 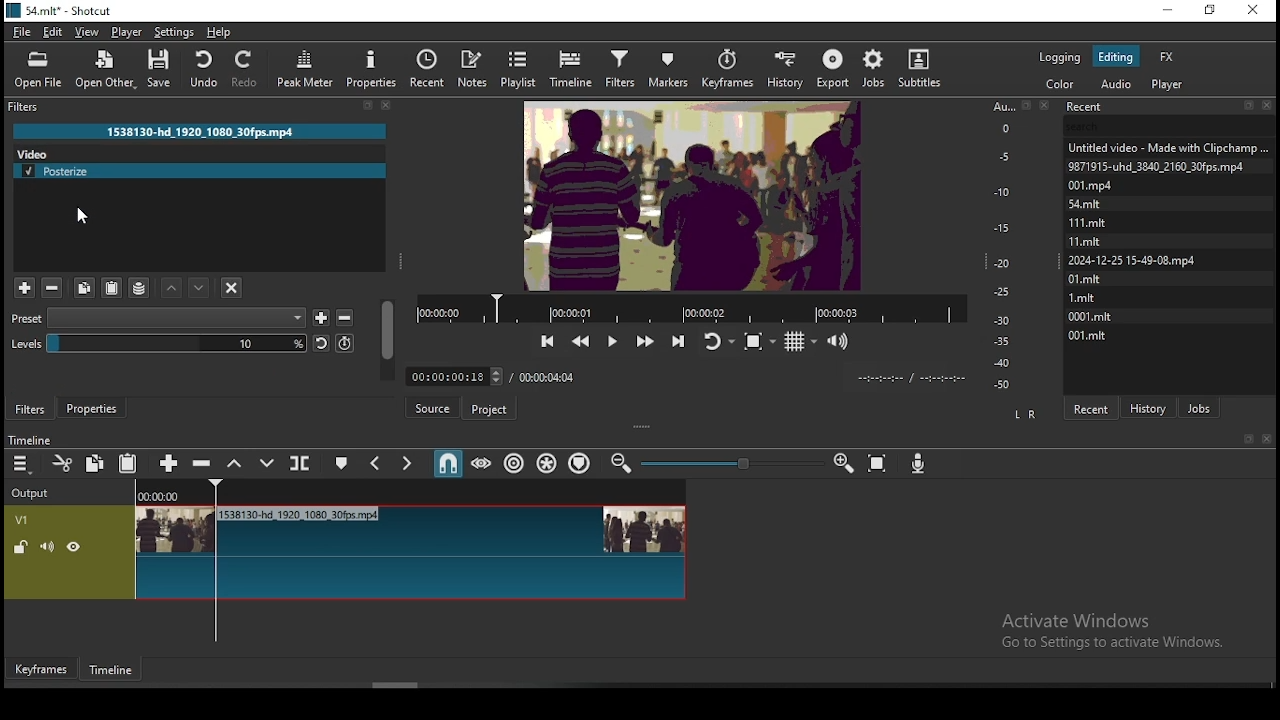 I want to click on cut, so click(x=60, y=463).